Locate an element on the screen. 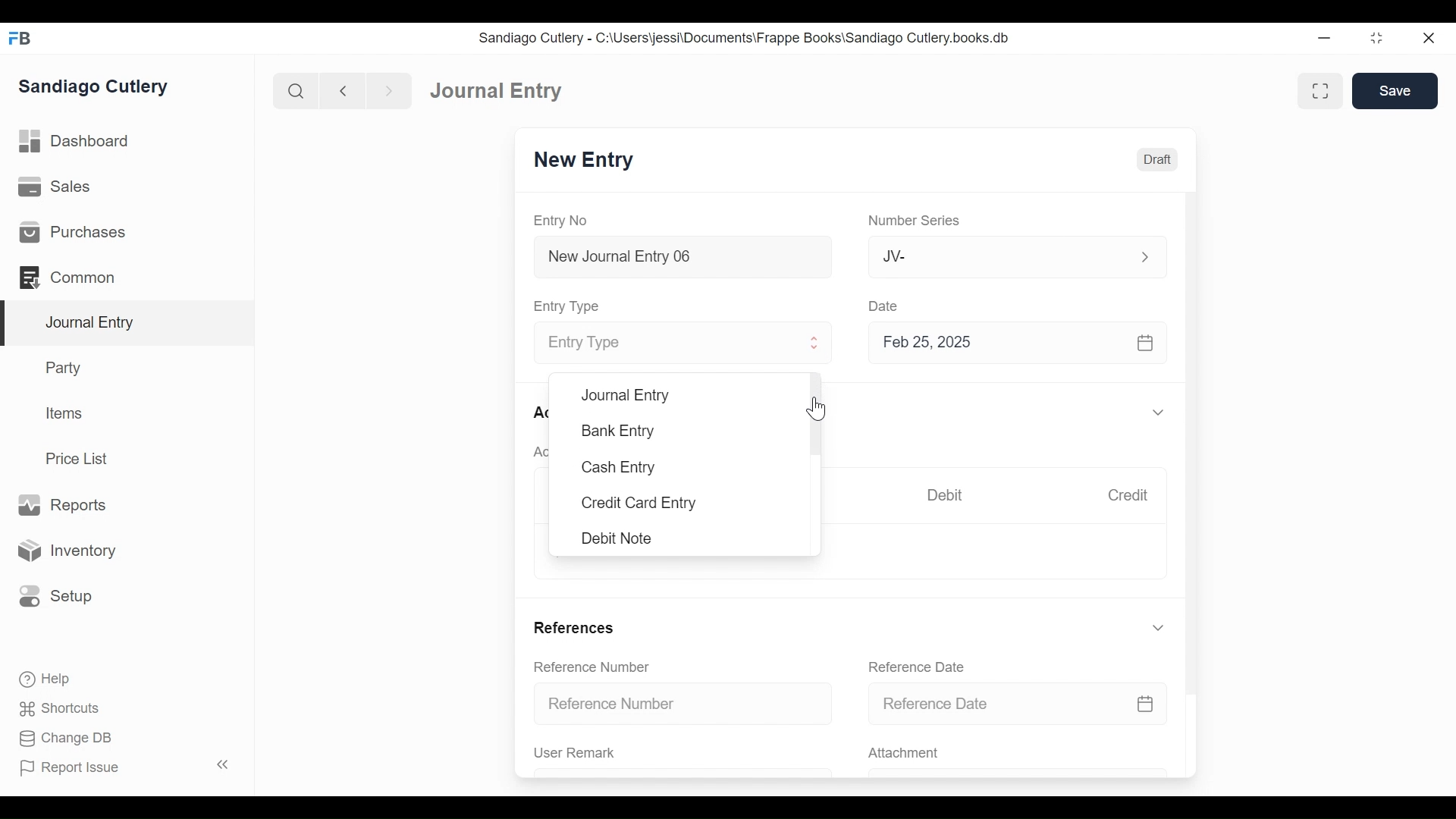  Change DB is located at coordinates (68, 740).